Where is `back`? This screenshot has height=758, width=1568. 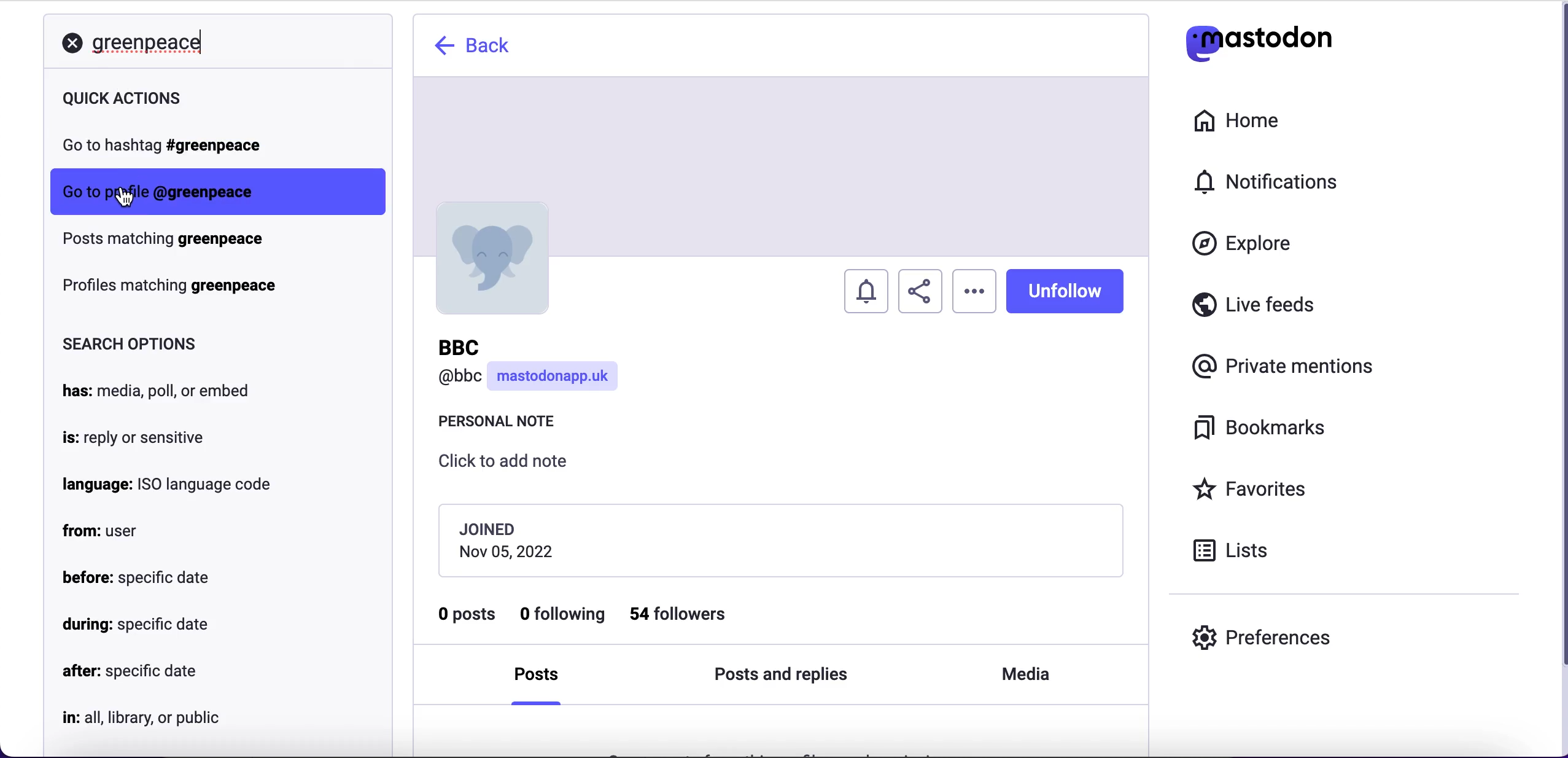 back is located at coordinates (475, 45).